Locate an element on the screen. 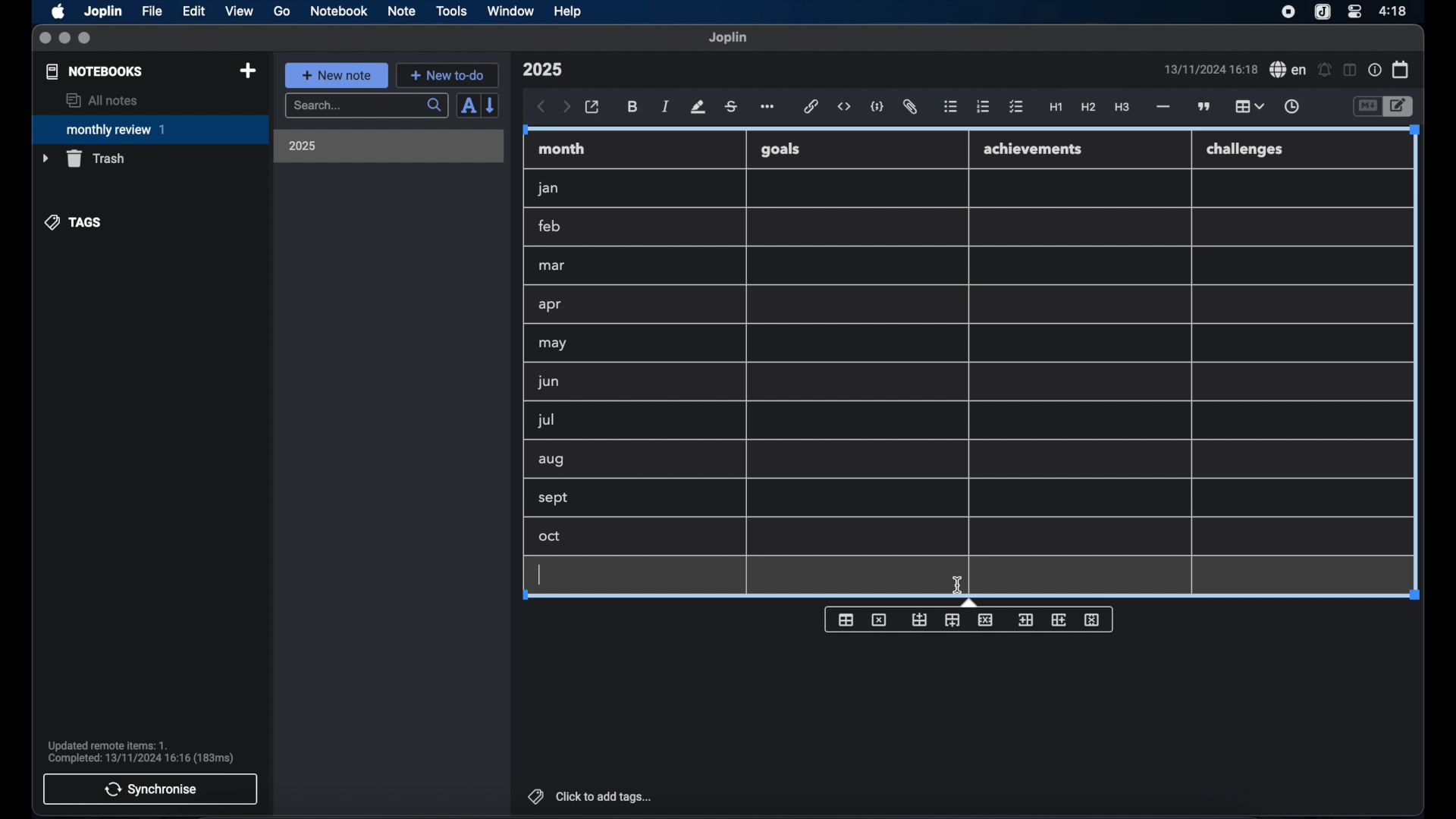  heading 2 is located at coordinates (1089, 108).